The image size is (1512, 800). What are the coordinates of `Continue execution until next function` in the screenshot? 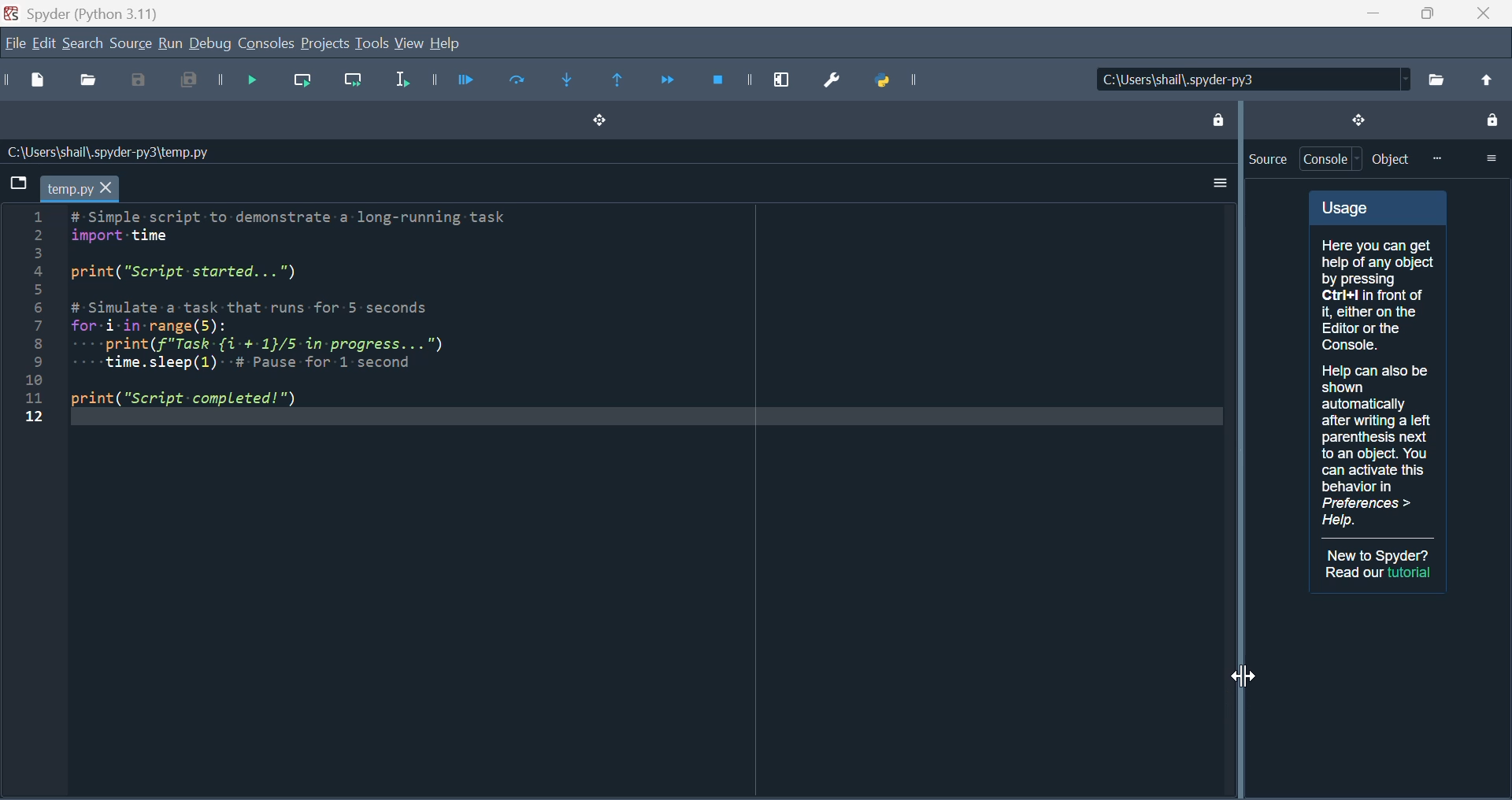 It's located at (667, 80).